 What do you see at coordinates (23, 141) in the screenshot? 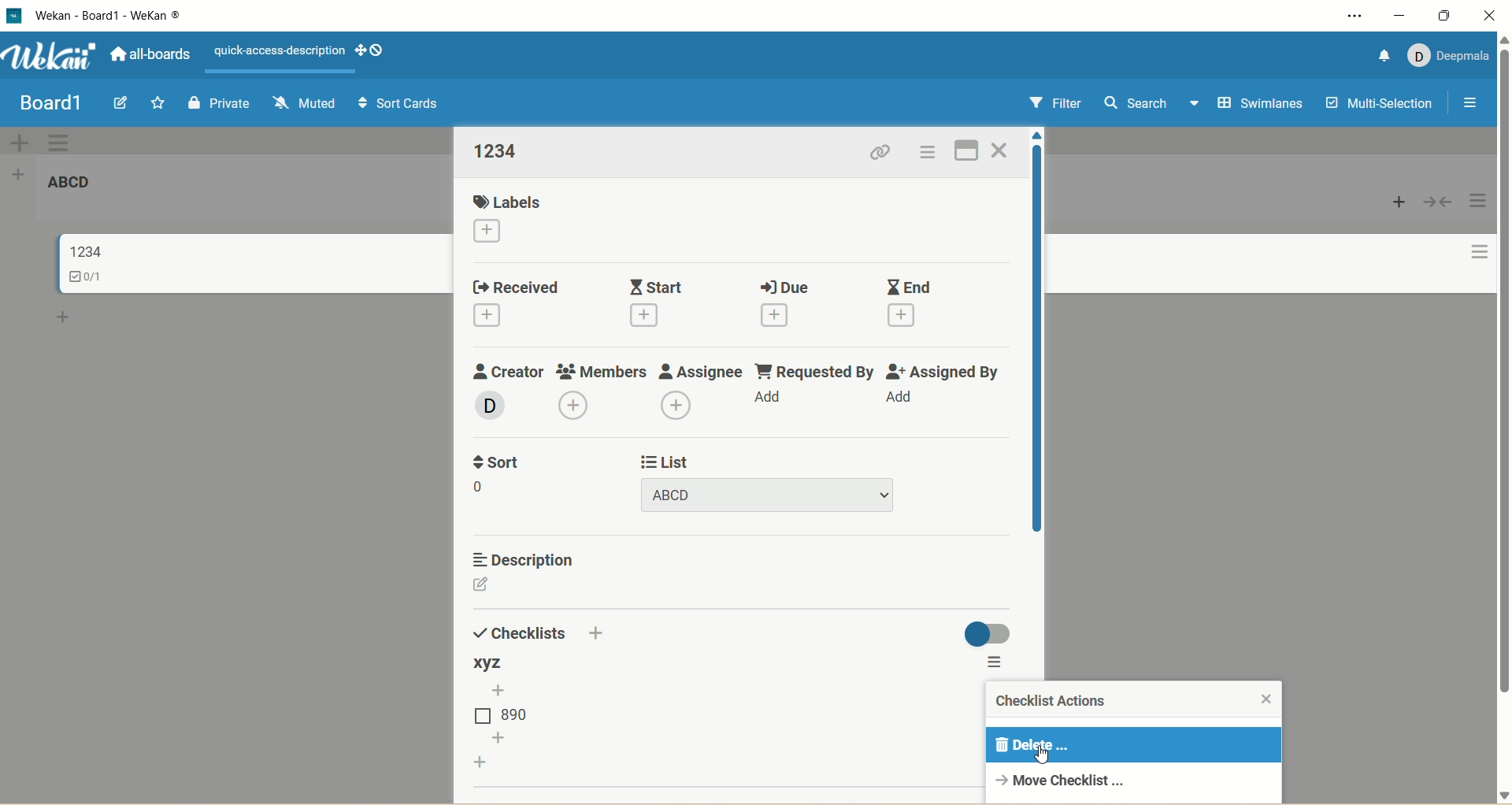
I see `add swimlane` at bounding box center [23, 141].